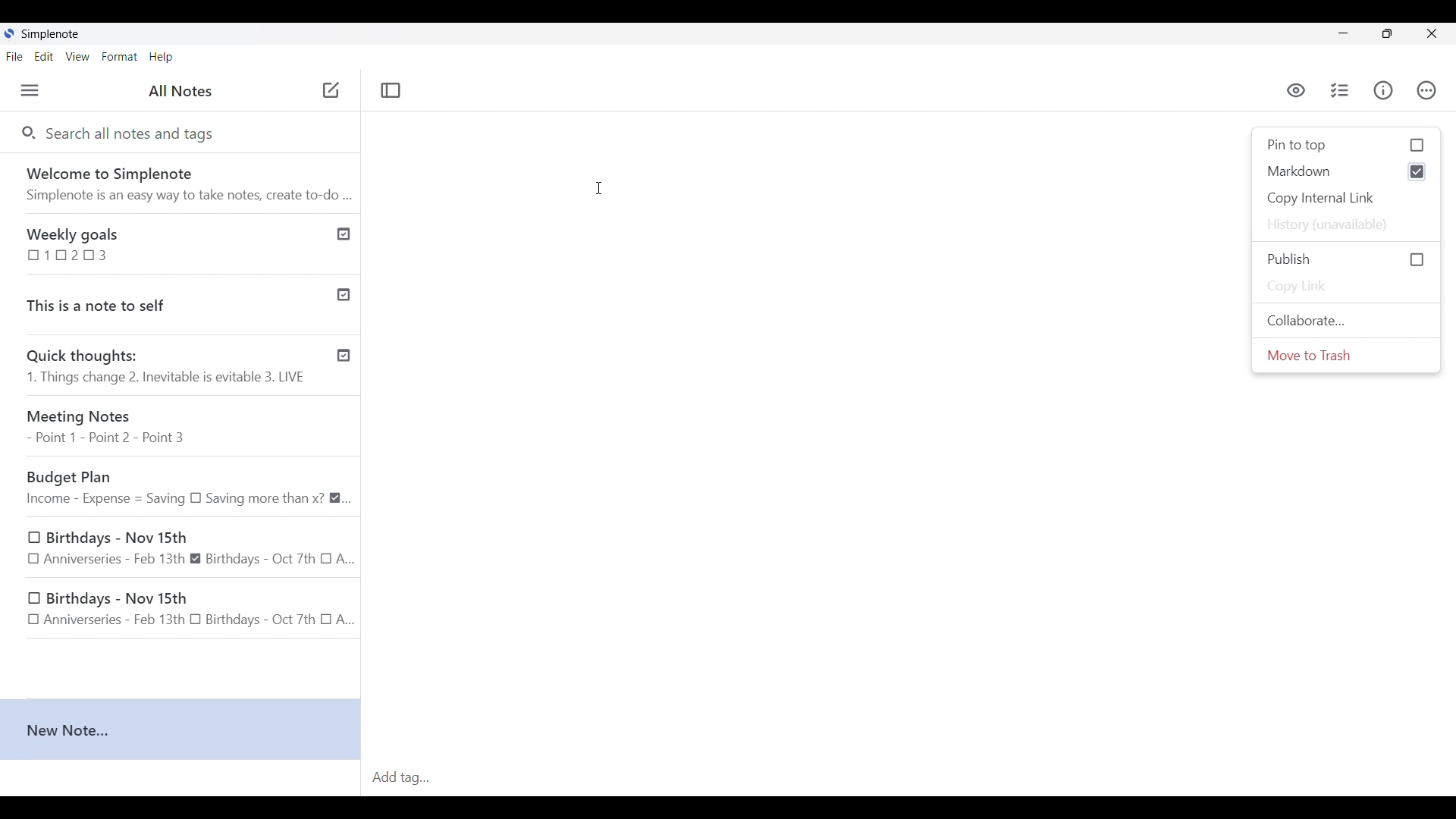 The image size is (1456, 819). Describe the element at coordinates (162, 302) in the screenshot. I see `This is a note to self` at that location.